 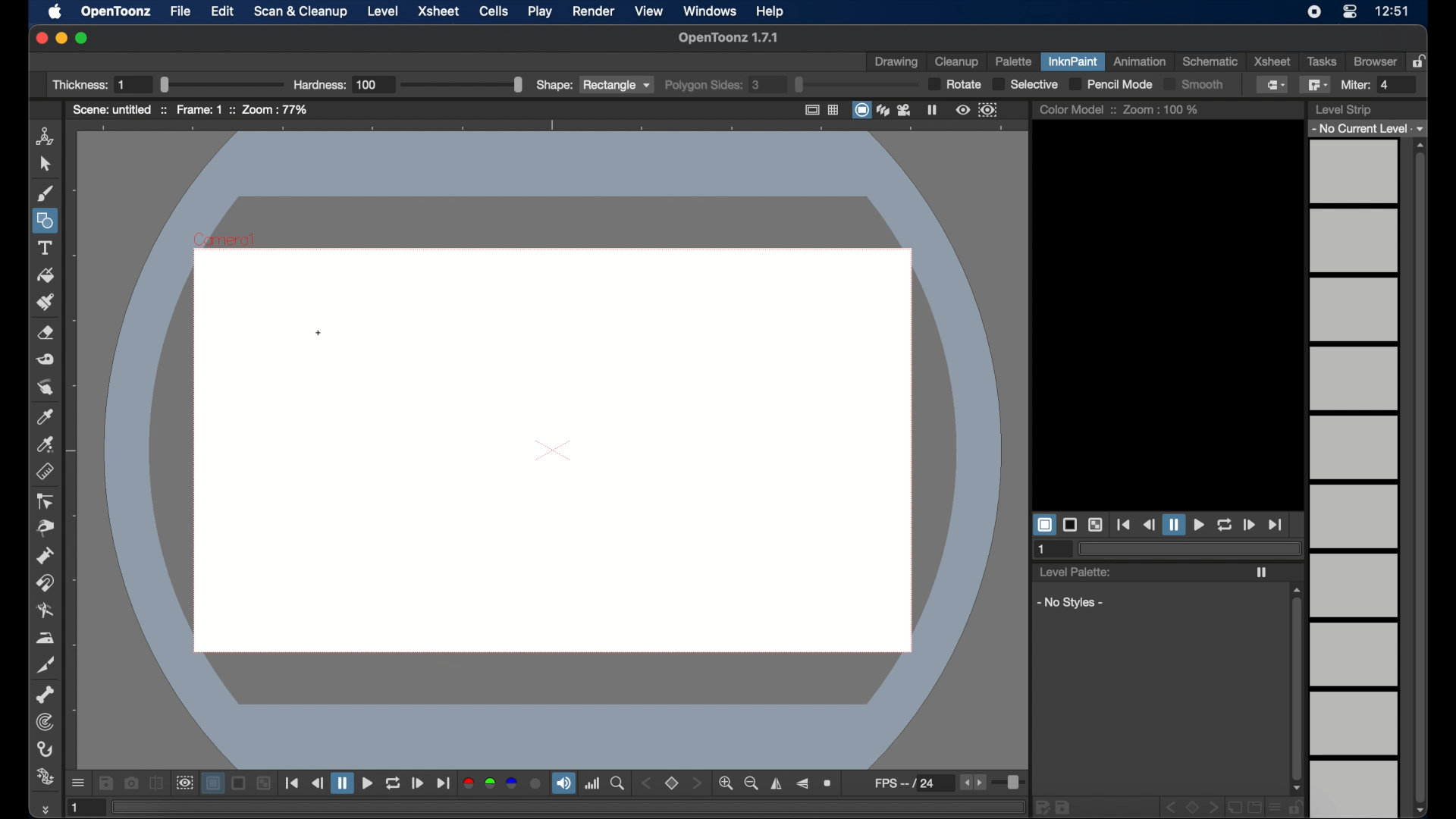 I want to click on 1, so click(x=83, y=807).